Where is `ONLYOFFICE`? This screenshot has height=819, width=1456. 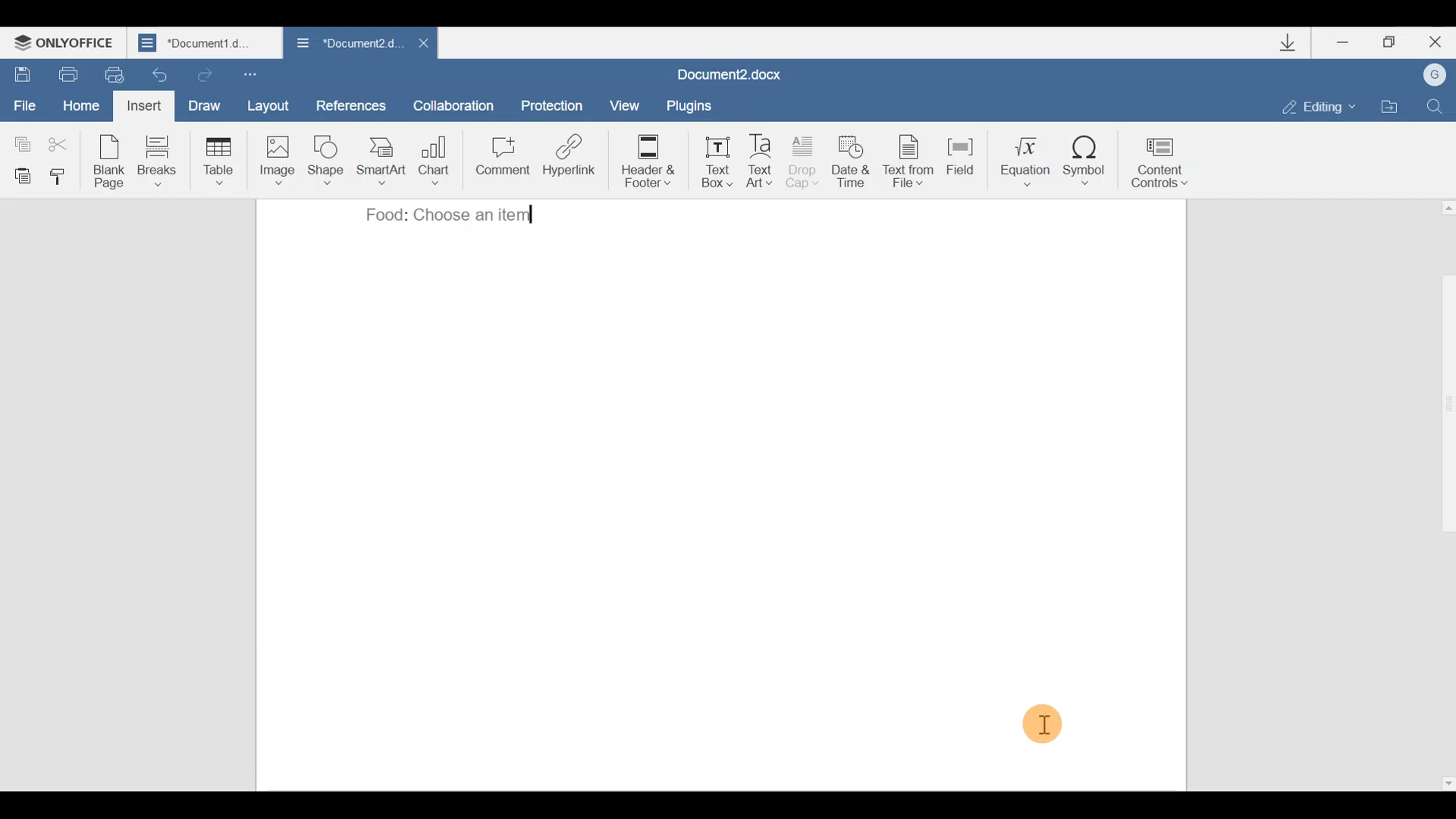
ONLYOFFICE is located at coordinates (68, 39).